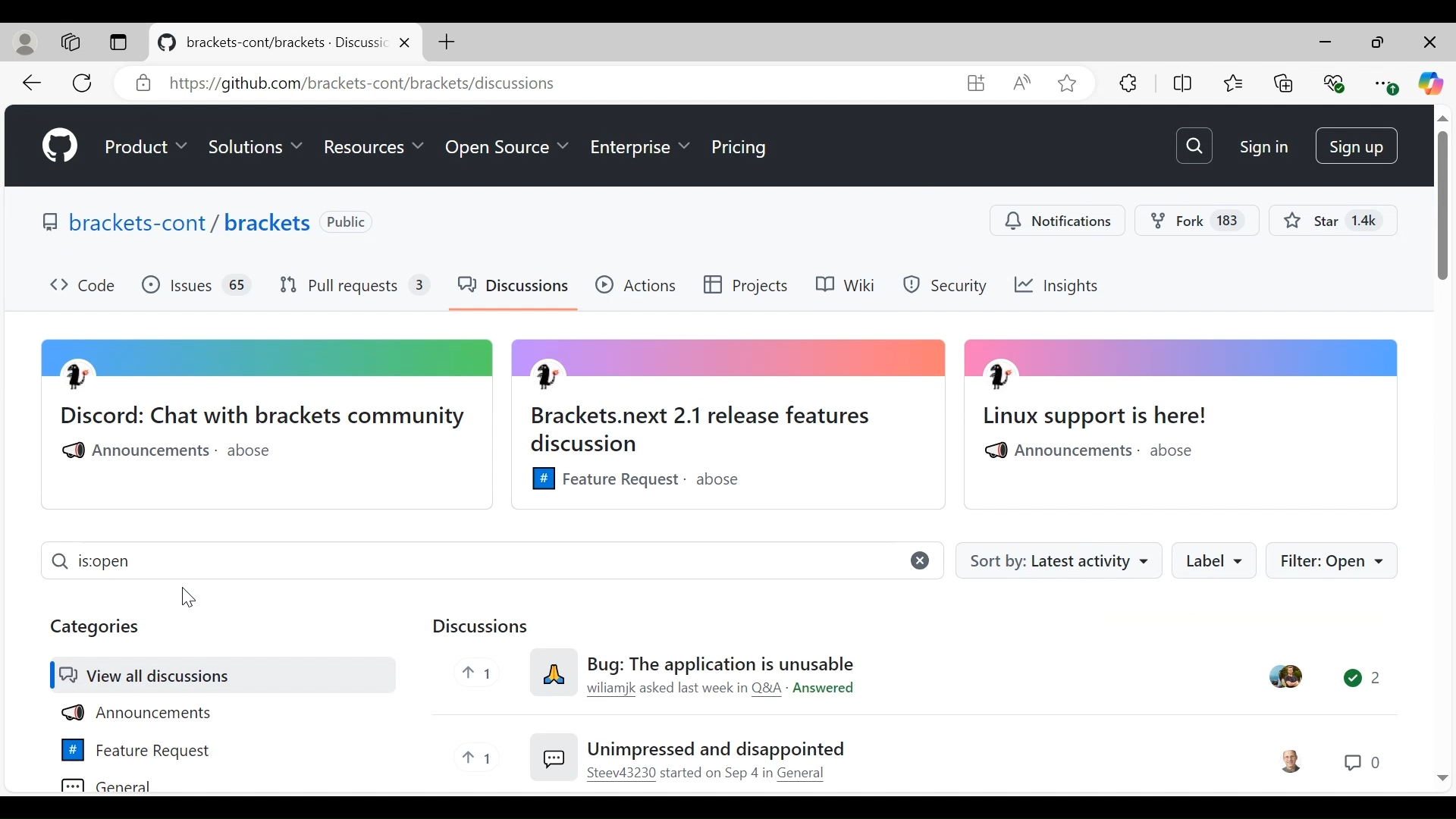 The width and height of the screenshot is (1456, 819). Describe the element at coordinates (1068, 83) in the screenshot. I see `Add this page to favorites` at that location.